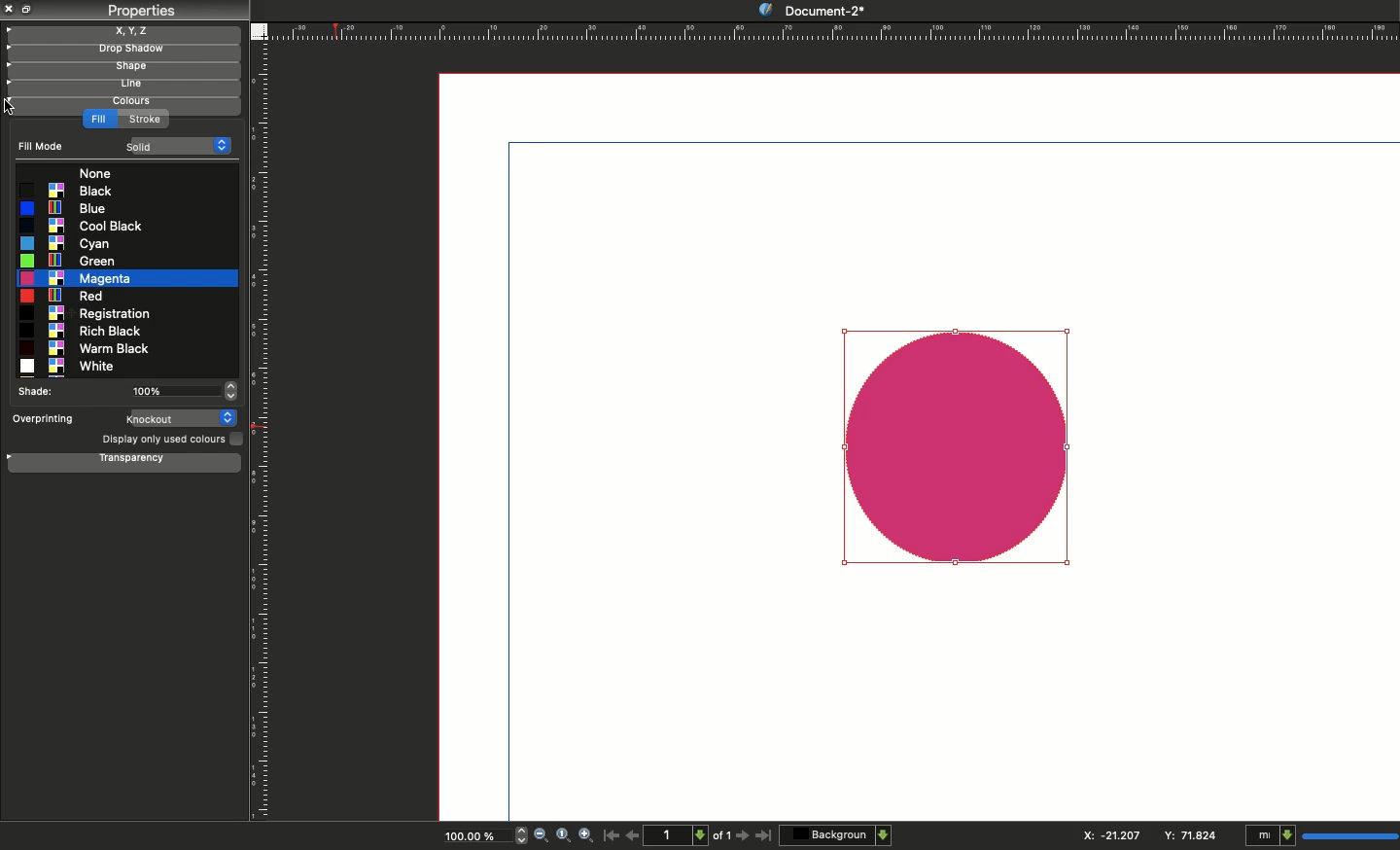 This screenshot has width=1400, height=850. I want to click on First page, so click(612, 834).